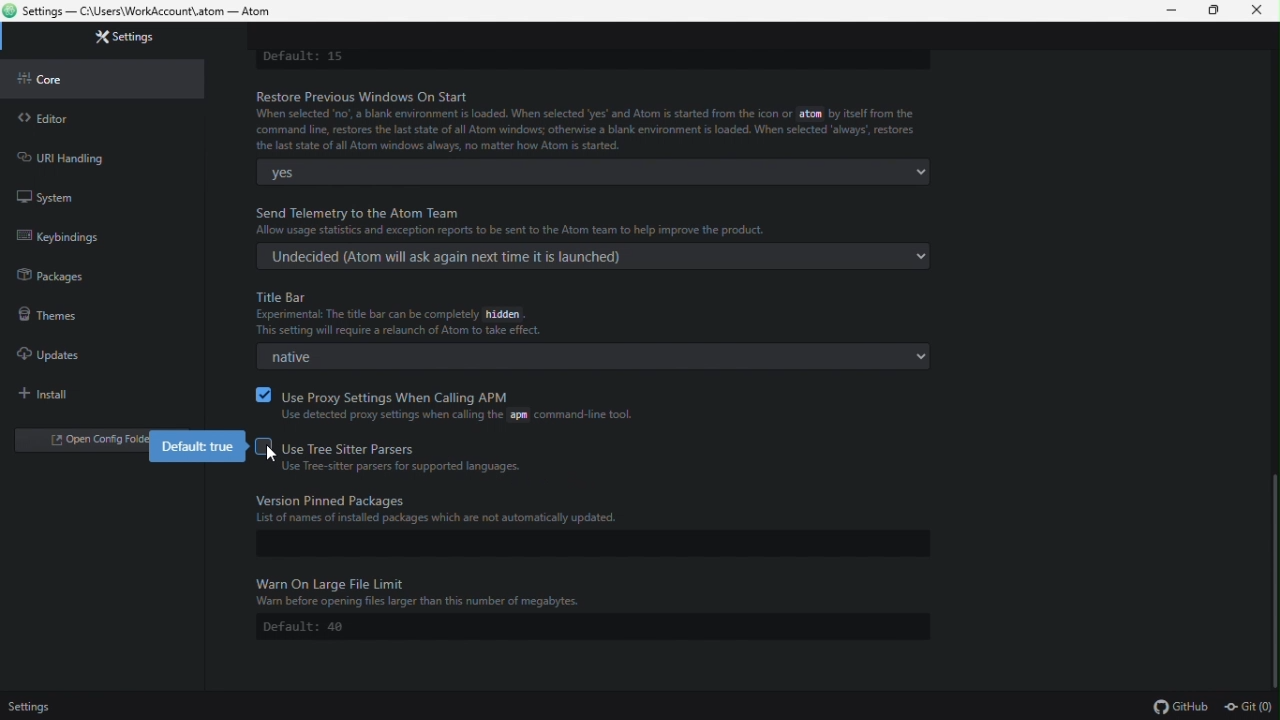  I want to click on Restore previous Windows on start, so click(593, 121).